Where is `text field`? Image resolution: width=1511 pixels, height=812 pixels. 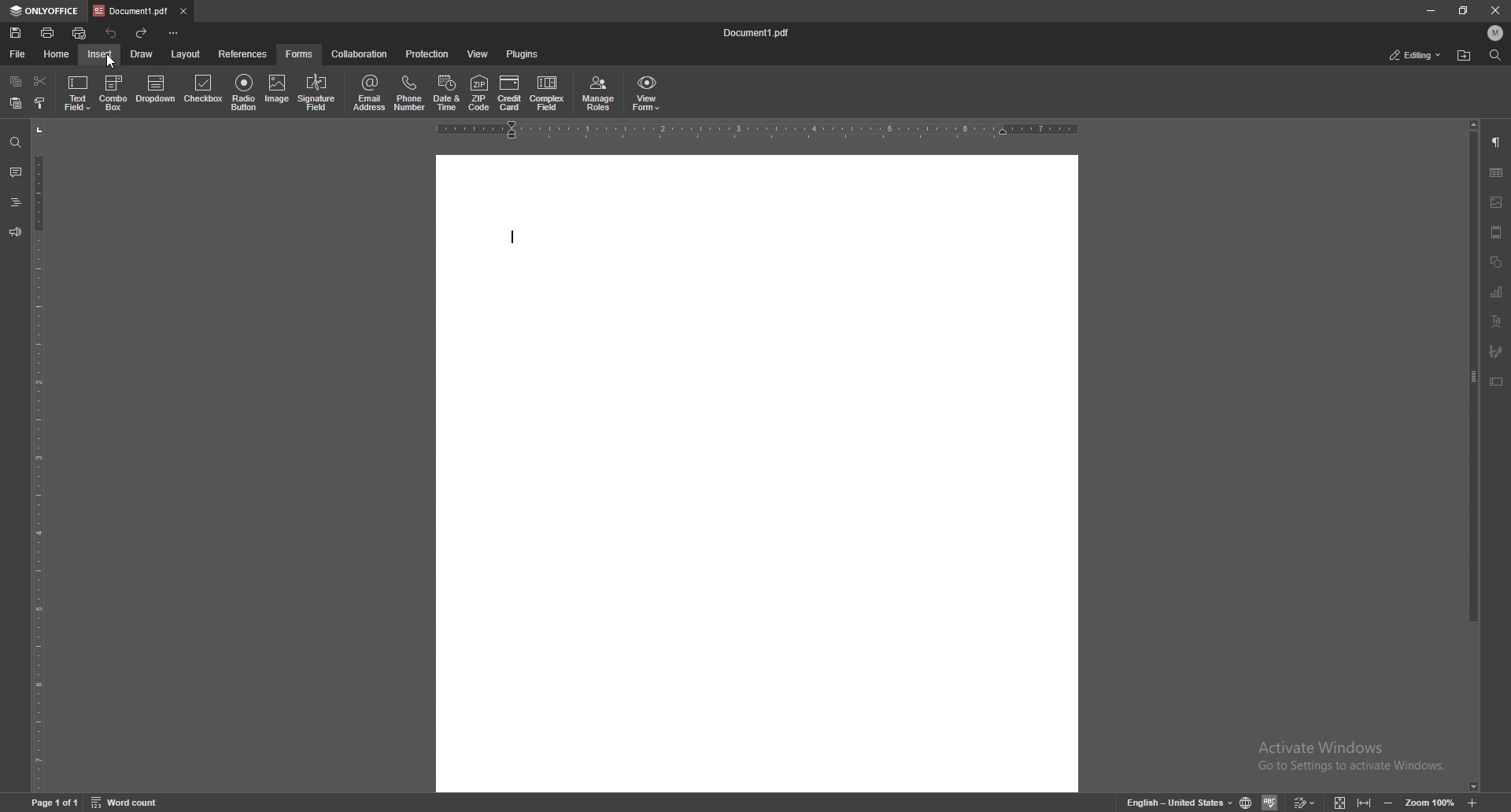 text field is located at coordinates (79, 92).